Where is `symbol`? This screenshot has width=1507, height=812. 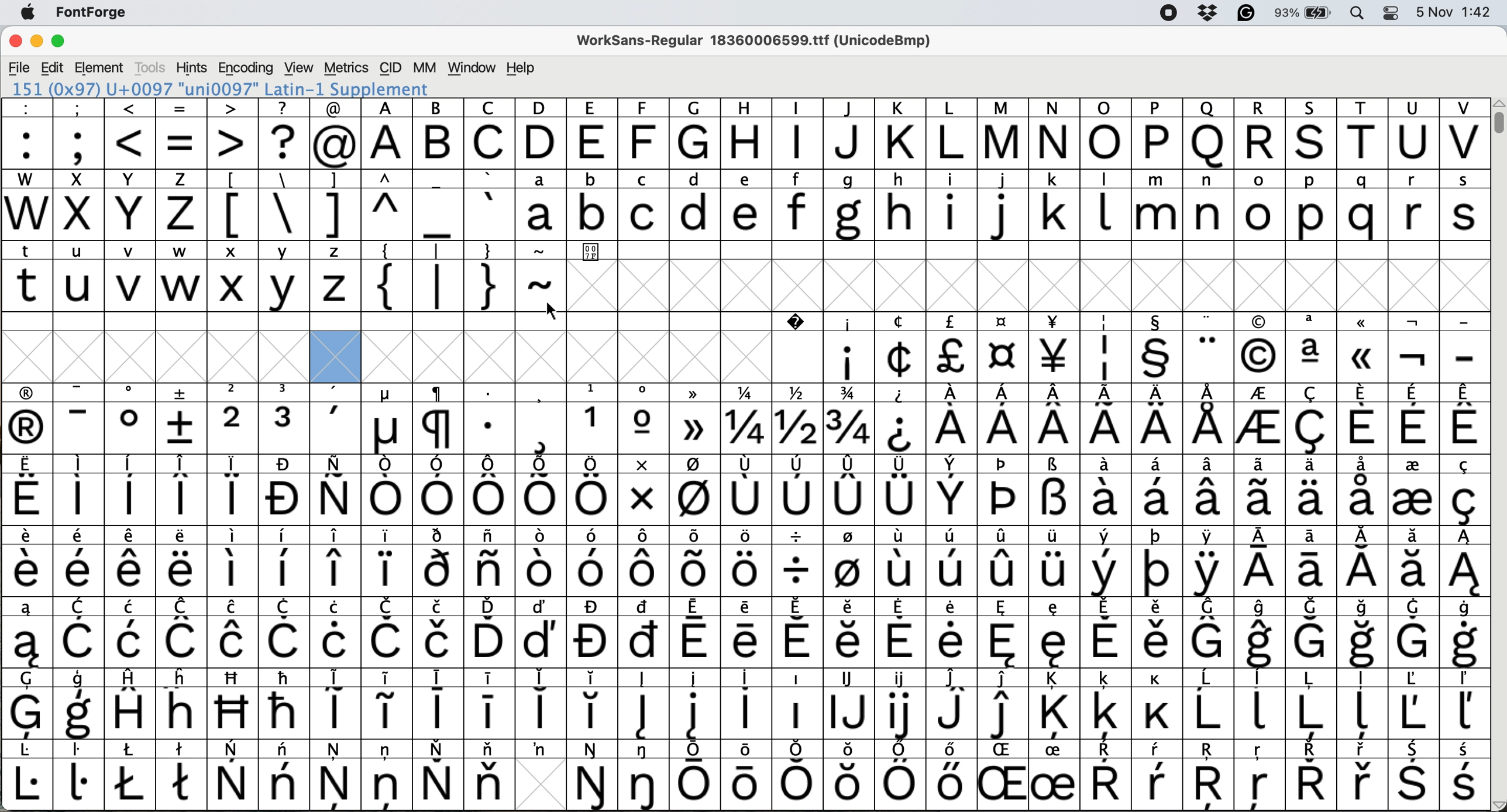
symbol is located at coordinates (385, 560).